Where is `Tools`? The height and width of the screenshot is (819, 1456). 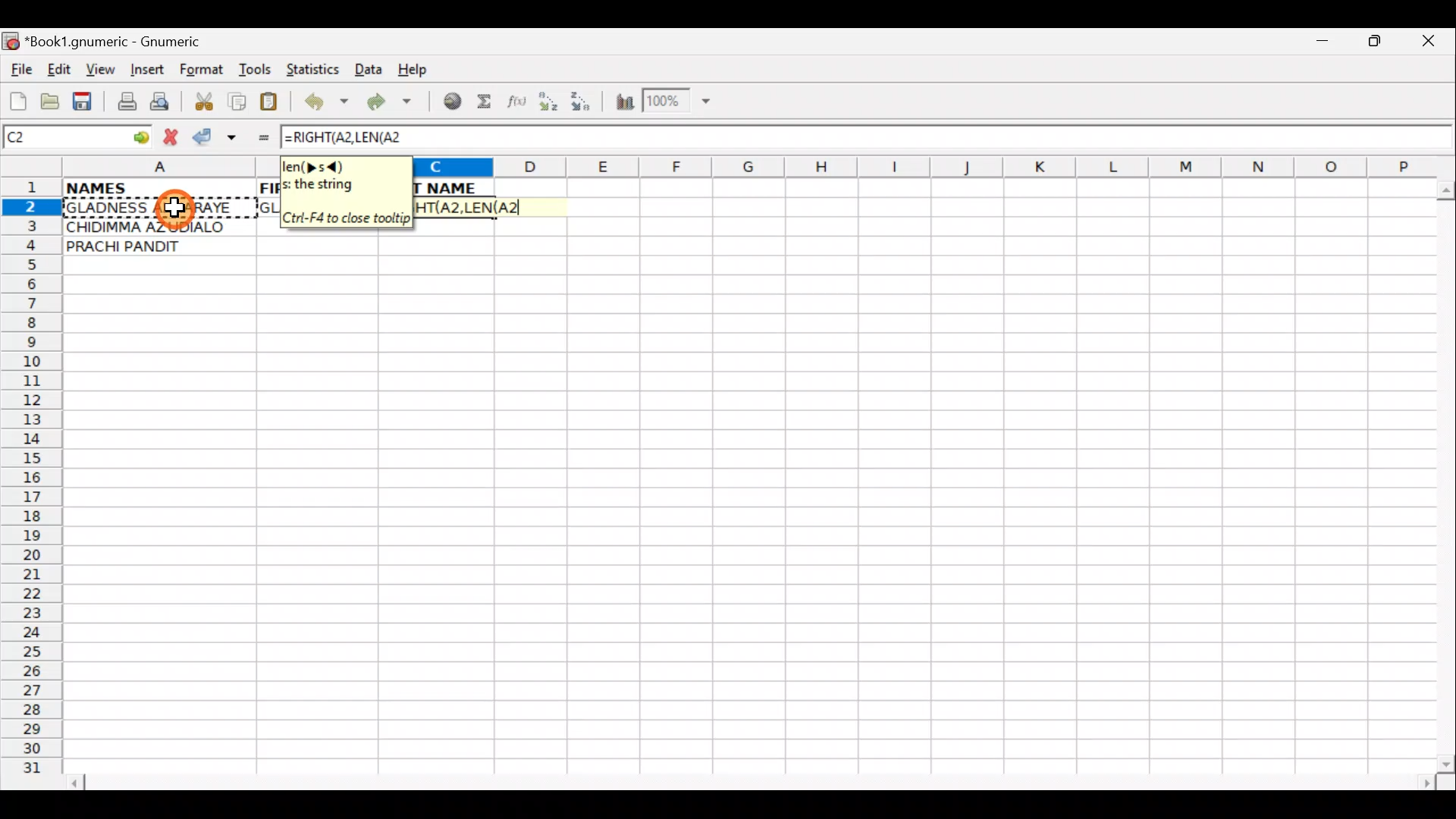 Tools is located at coordinates (256, 70).